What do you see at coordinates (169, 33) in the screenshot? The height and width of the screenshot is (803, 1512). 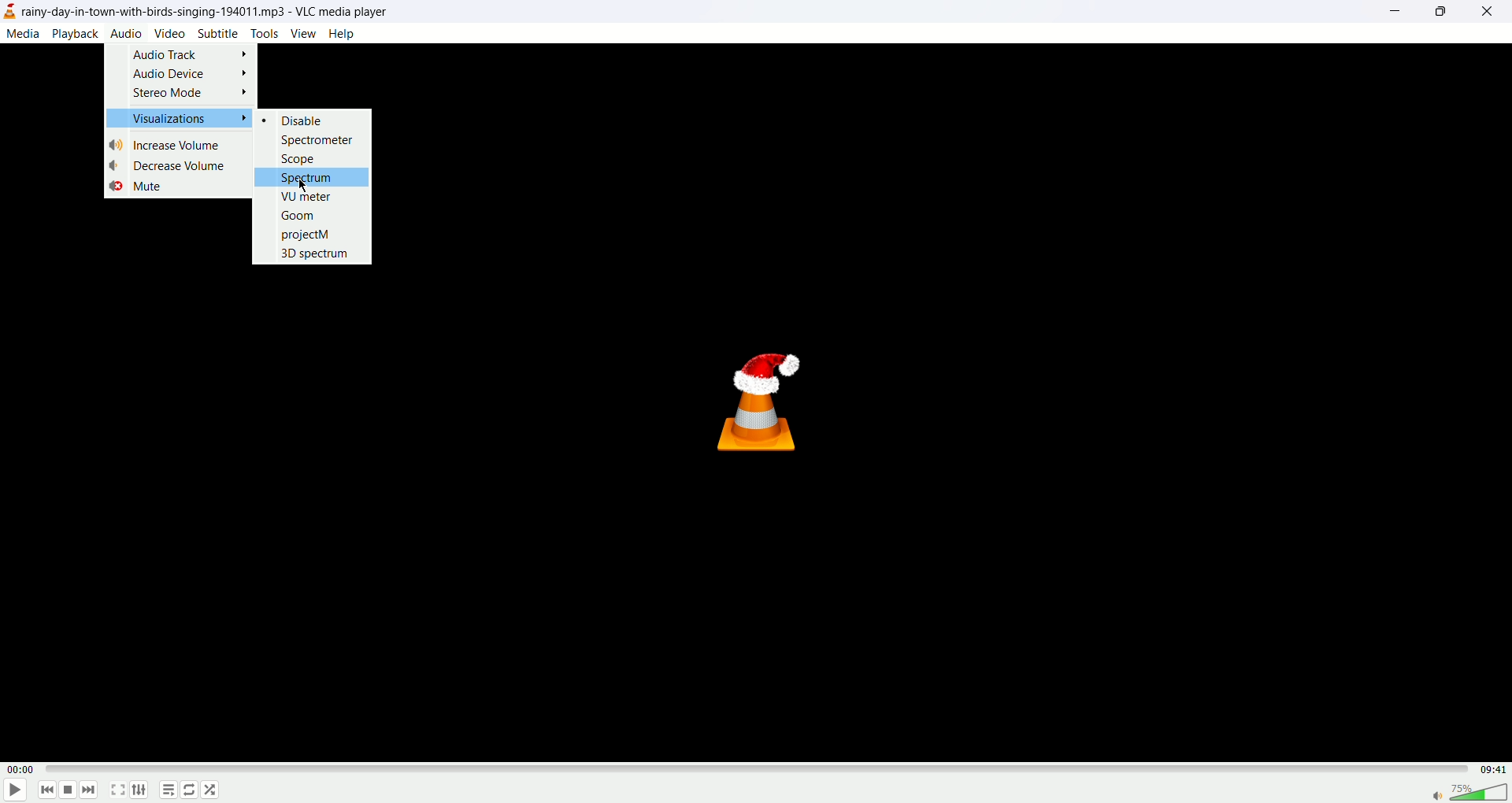 I see `video` at bounding box center [169, 33].